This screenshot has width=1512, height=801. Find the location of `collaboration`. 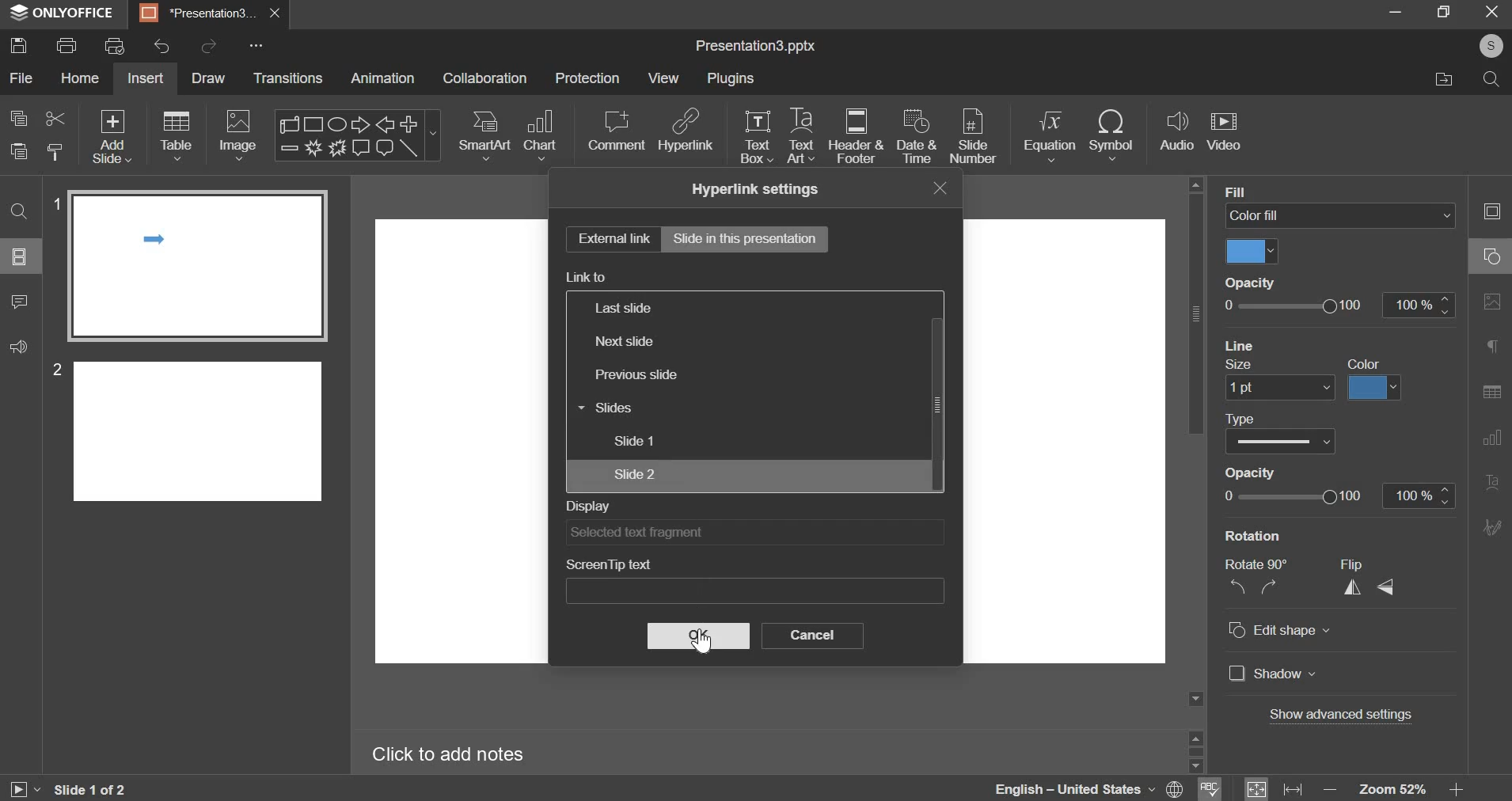

collaboration is located at coordinates (485, 78).